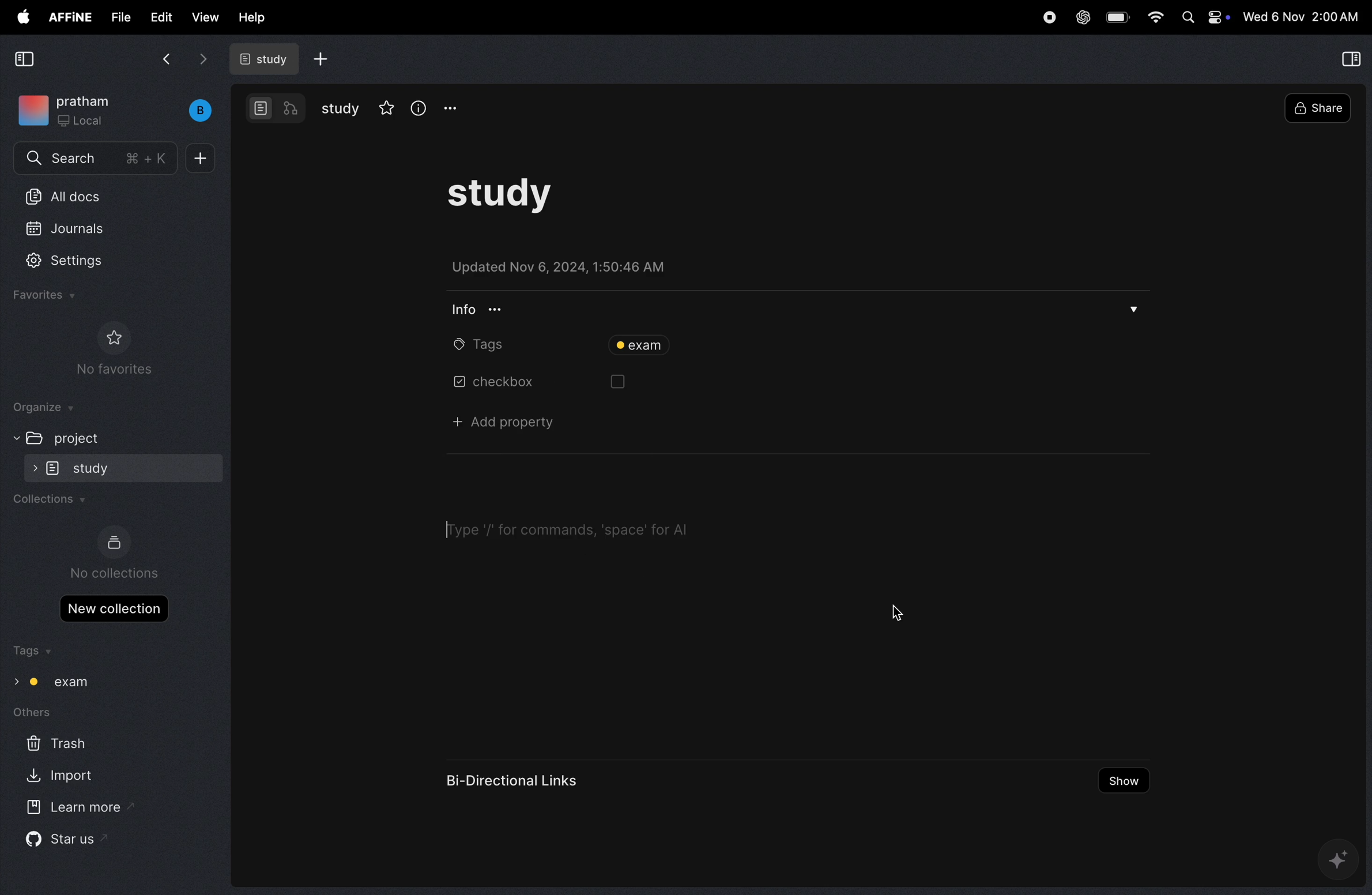  What do you see at coordinates (416, 107) in the screenshot?
I see `info` at bounding box center [416, 107].